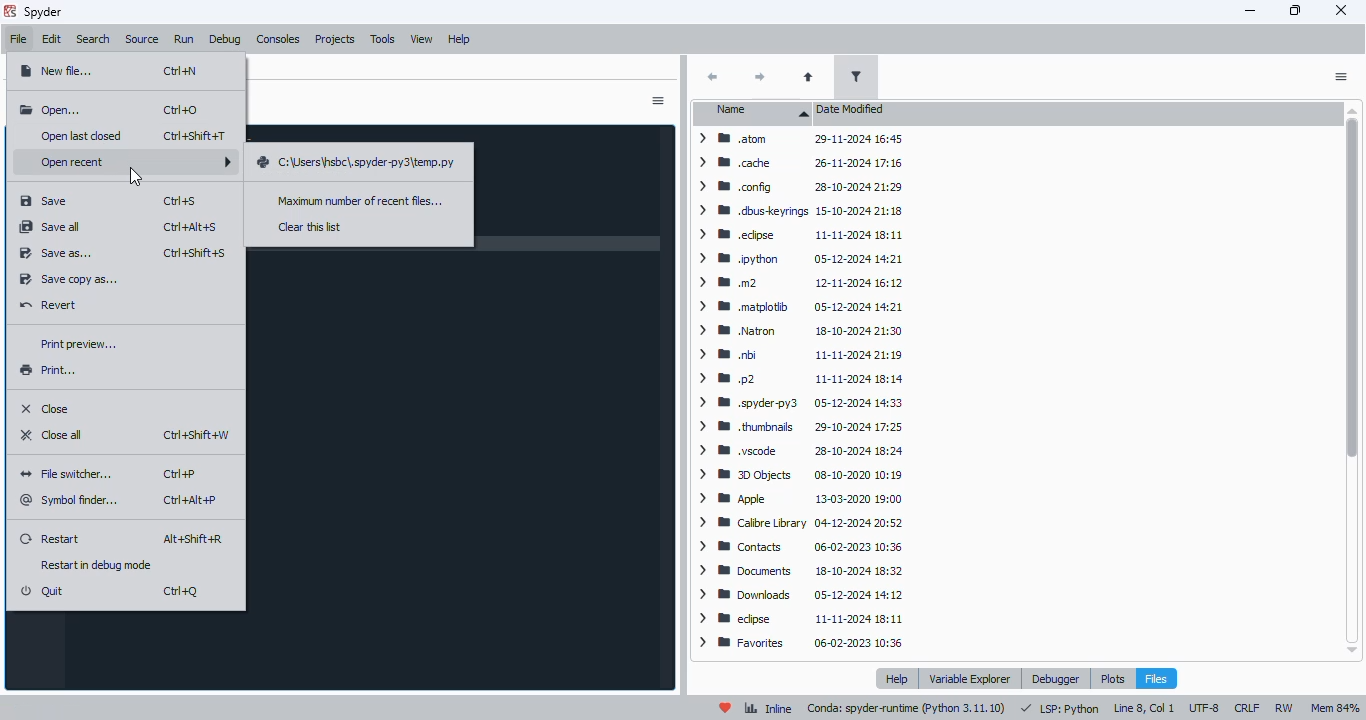 This screenshot has height=720, width=1366. Describe the element at coordinates (55, 254) in the screenshot. I see `save as` at that location.